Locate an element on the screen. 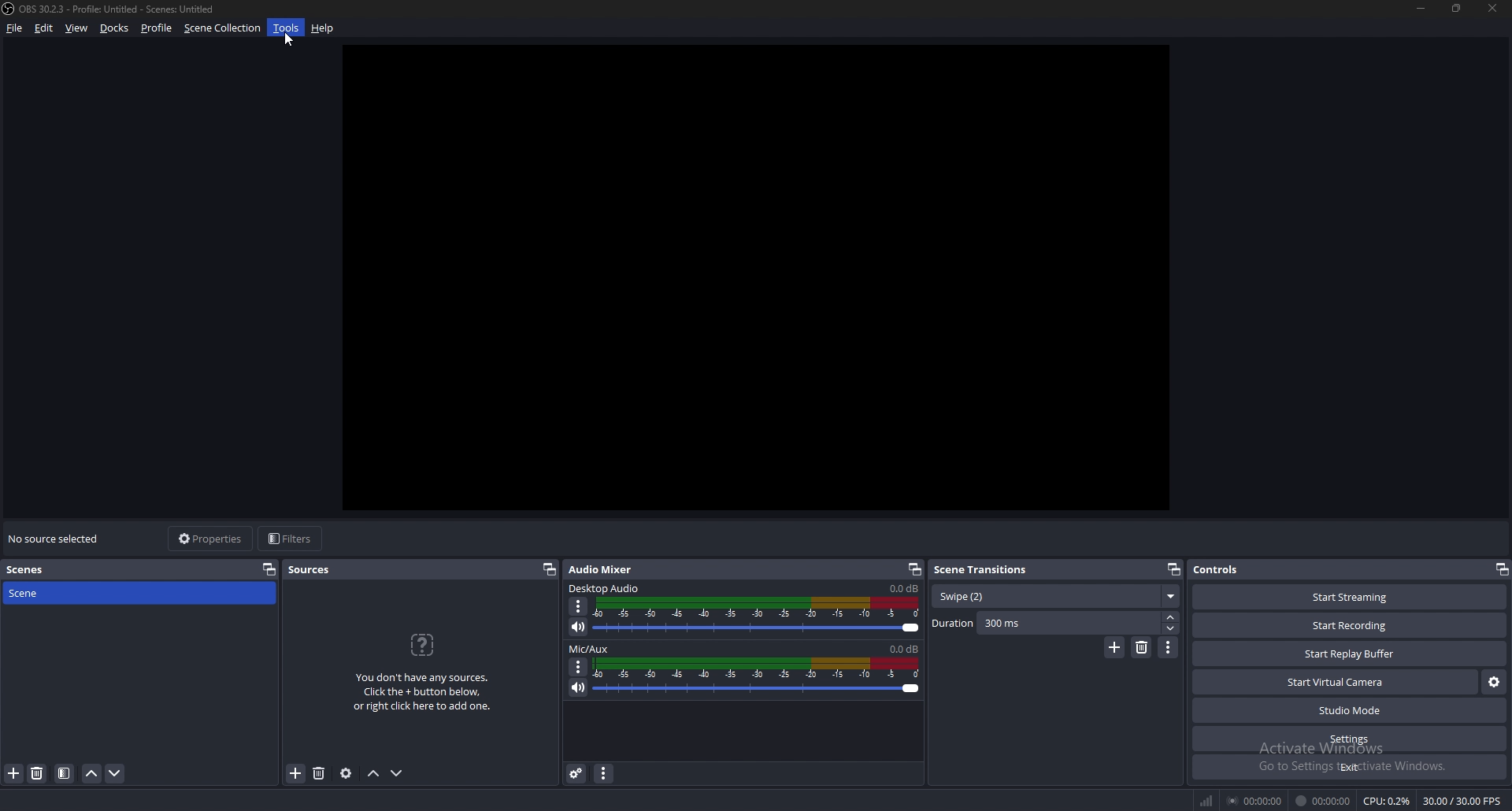 This screenshot has width=1512, height=811. transition properties is located at coordinates (1169, 647).